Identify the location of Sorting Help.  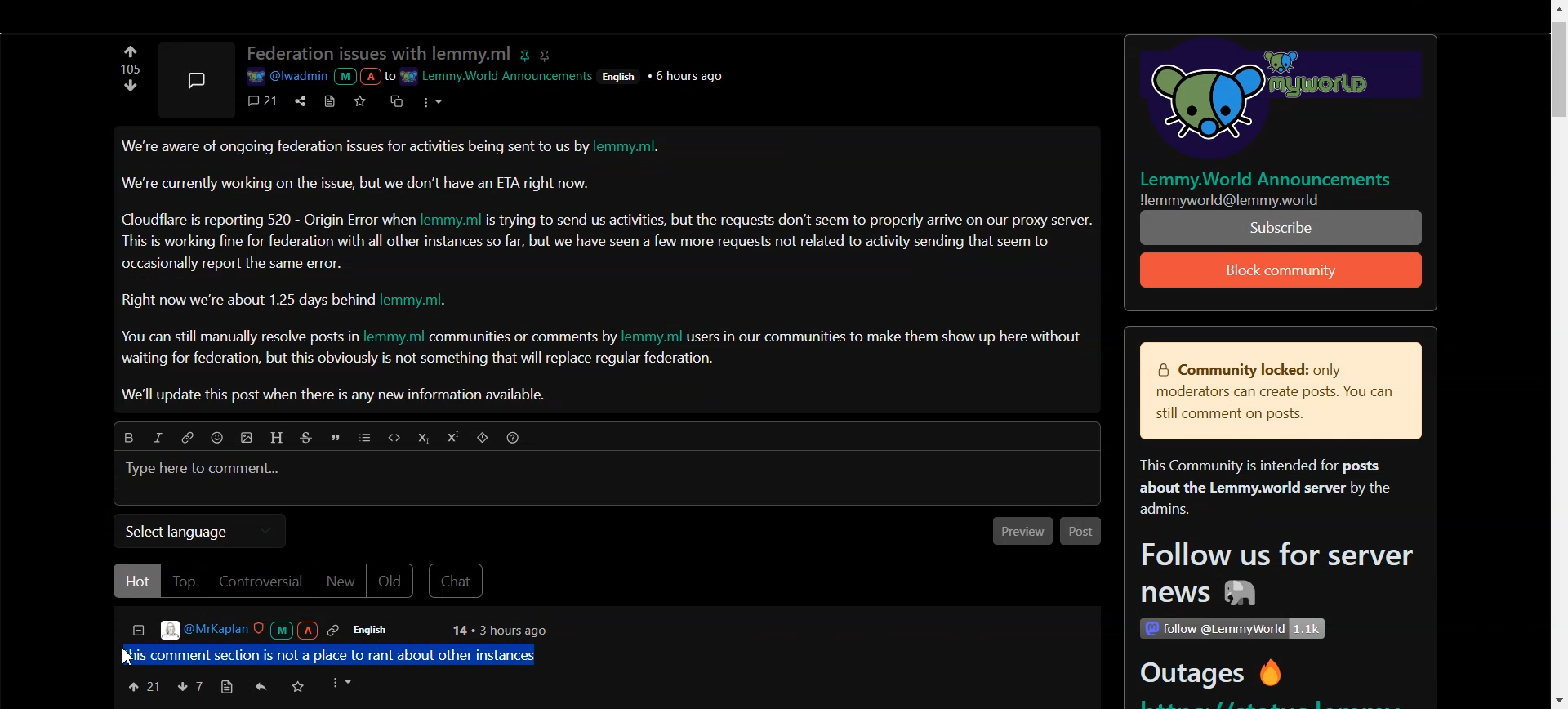
(514, 437).